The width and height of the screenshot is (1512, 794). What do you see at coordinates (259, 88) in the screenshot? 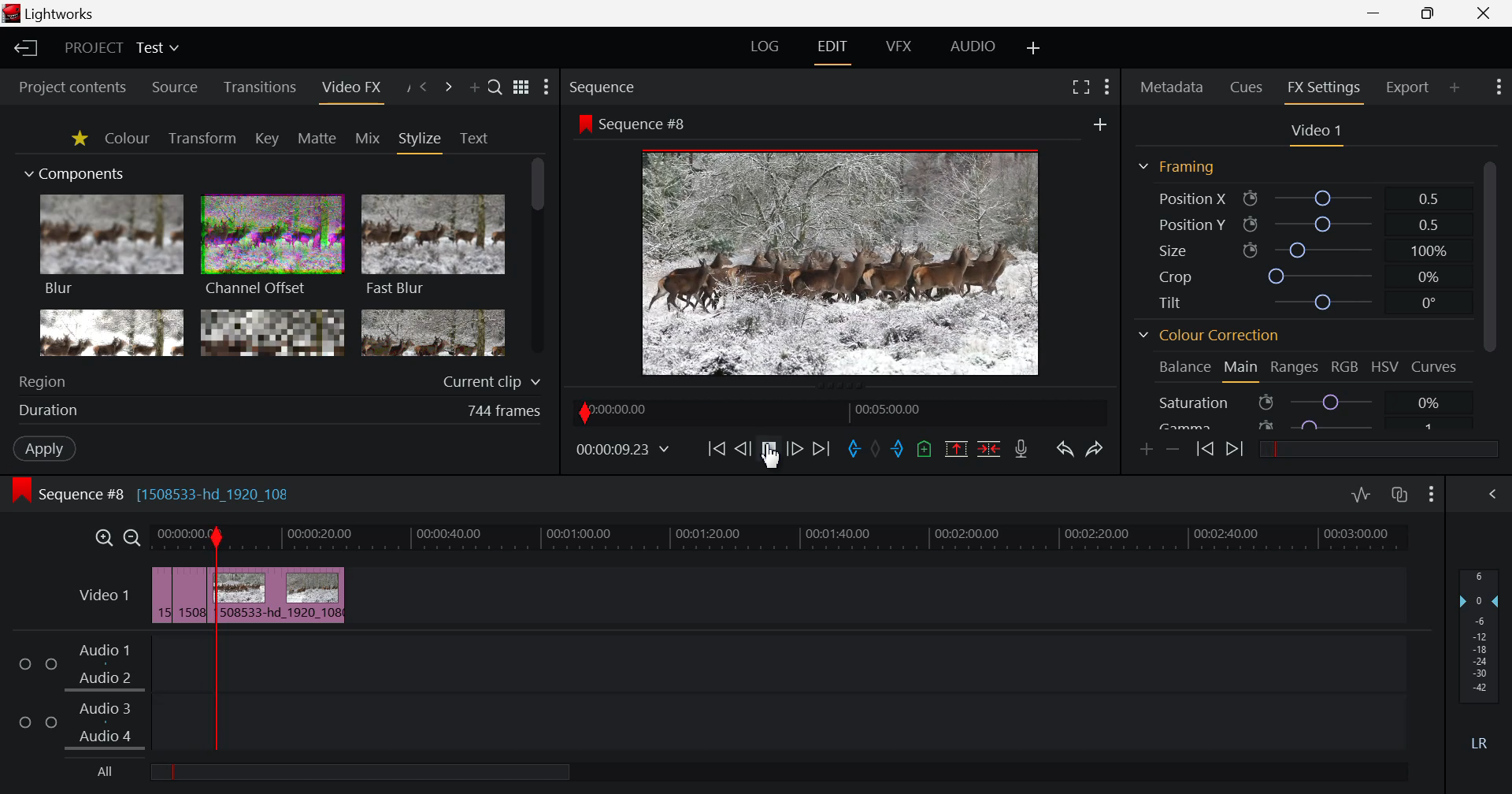
I see `Transitions` at bounding box center [259, 88].